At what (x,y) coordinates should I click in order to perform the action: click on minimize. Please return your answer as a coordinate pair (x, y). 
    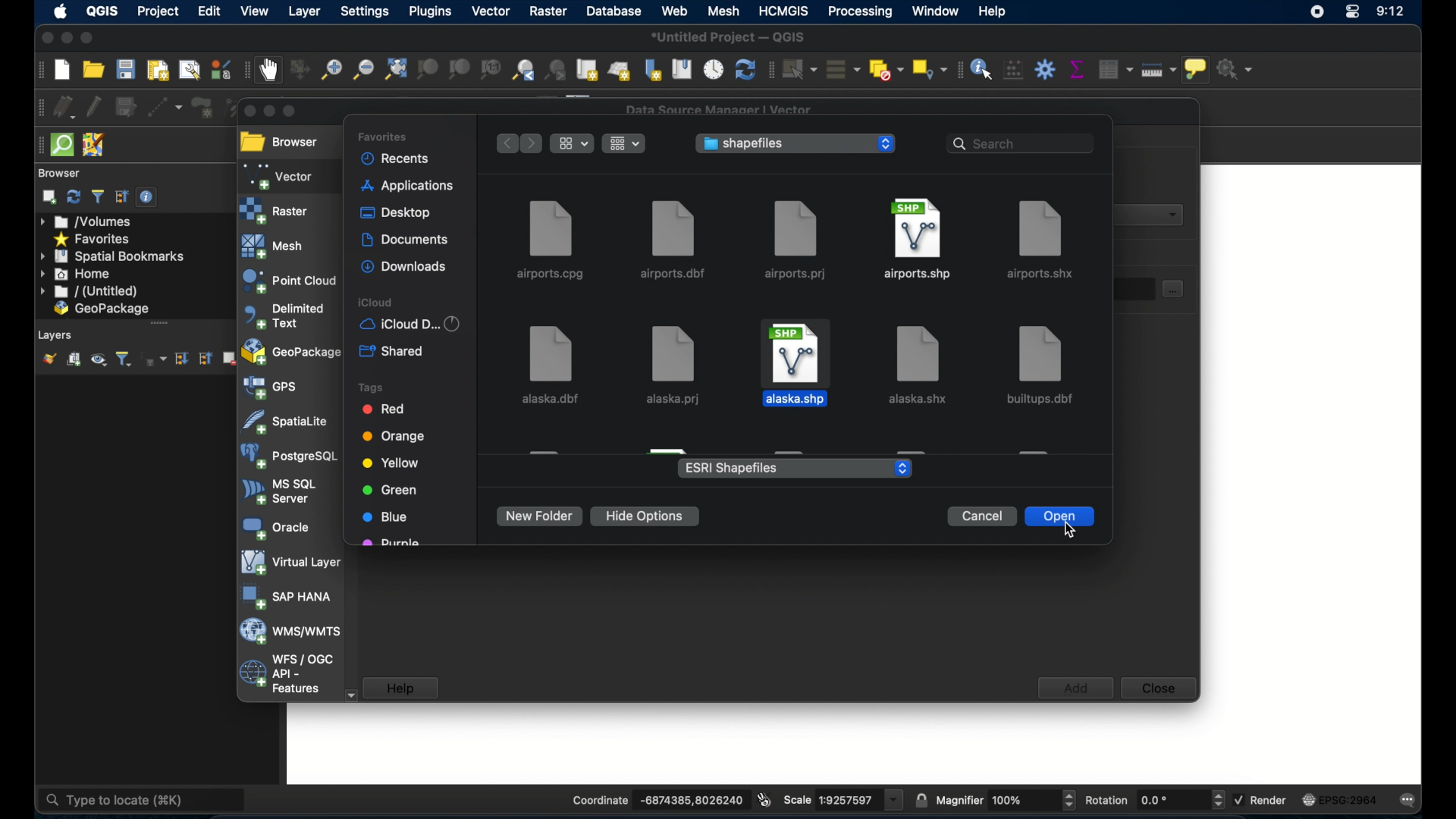
    Looking at the image, I should click on (67, 39).